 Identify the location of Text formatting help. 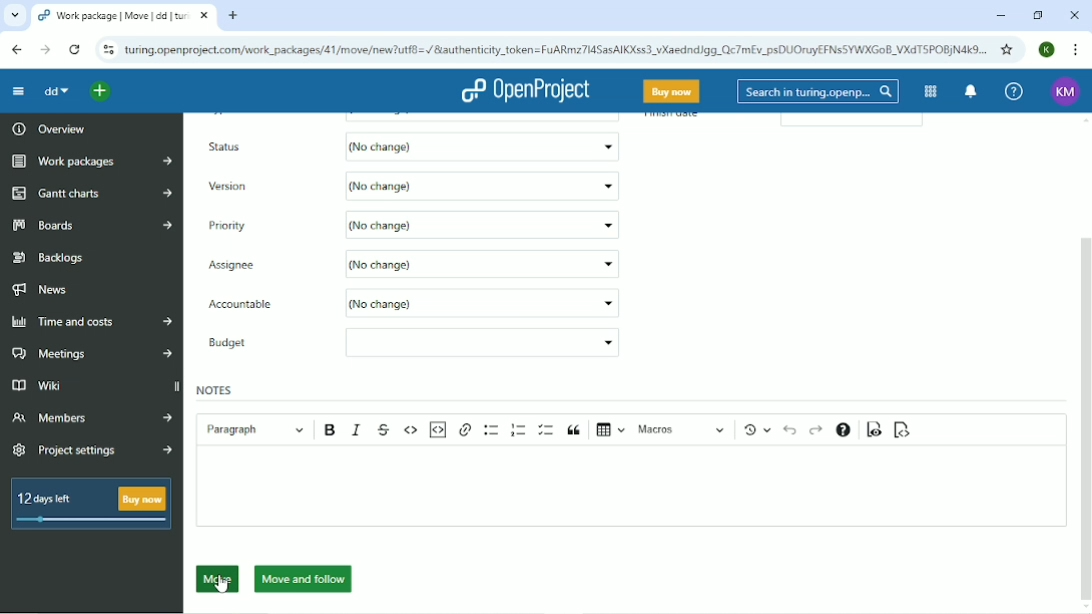
(845, 427).